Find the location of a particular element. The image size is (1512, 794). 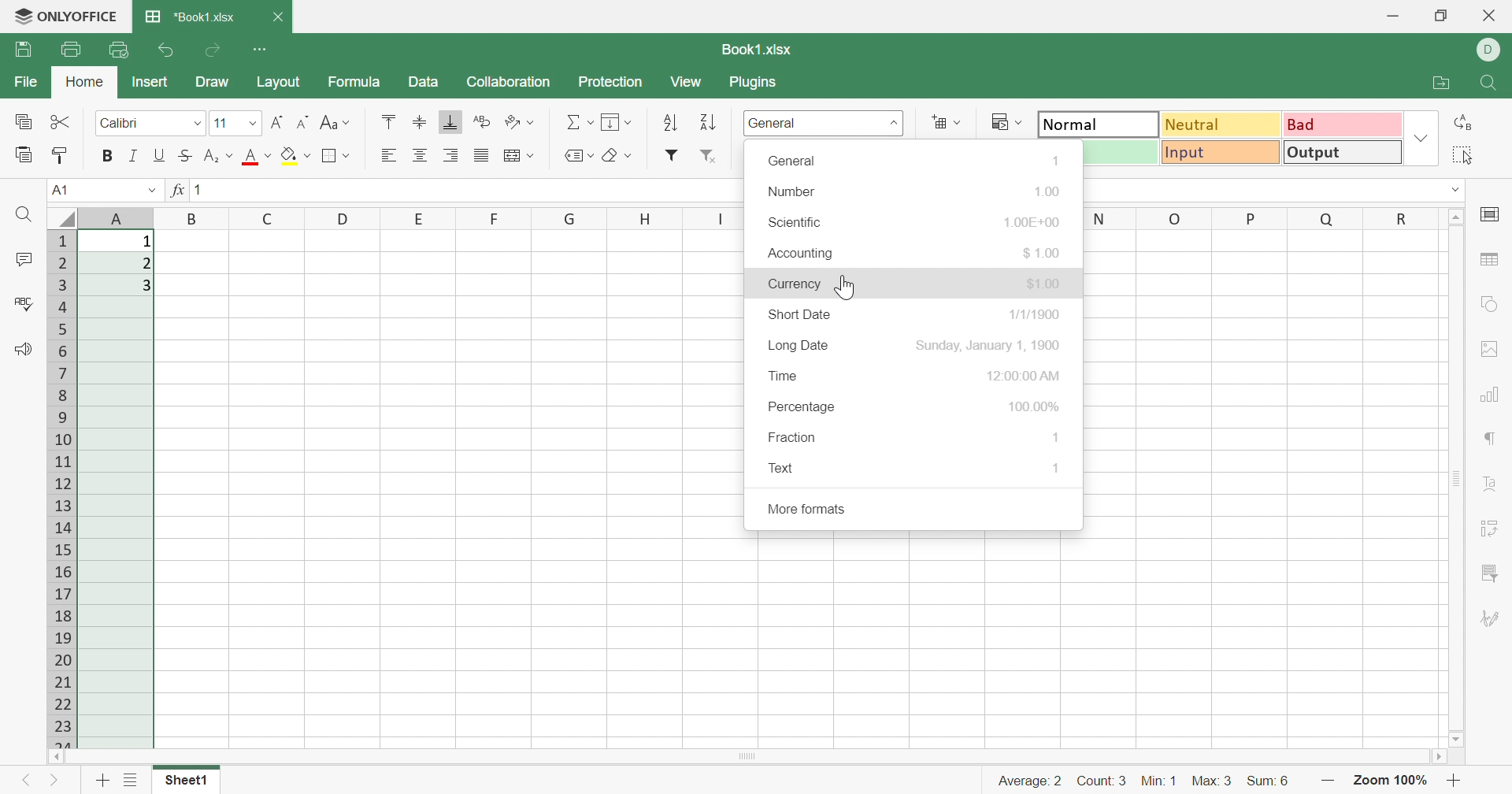

Fill color is located at coordinates (296, 154).